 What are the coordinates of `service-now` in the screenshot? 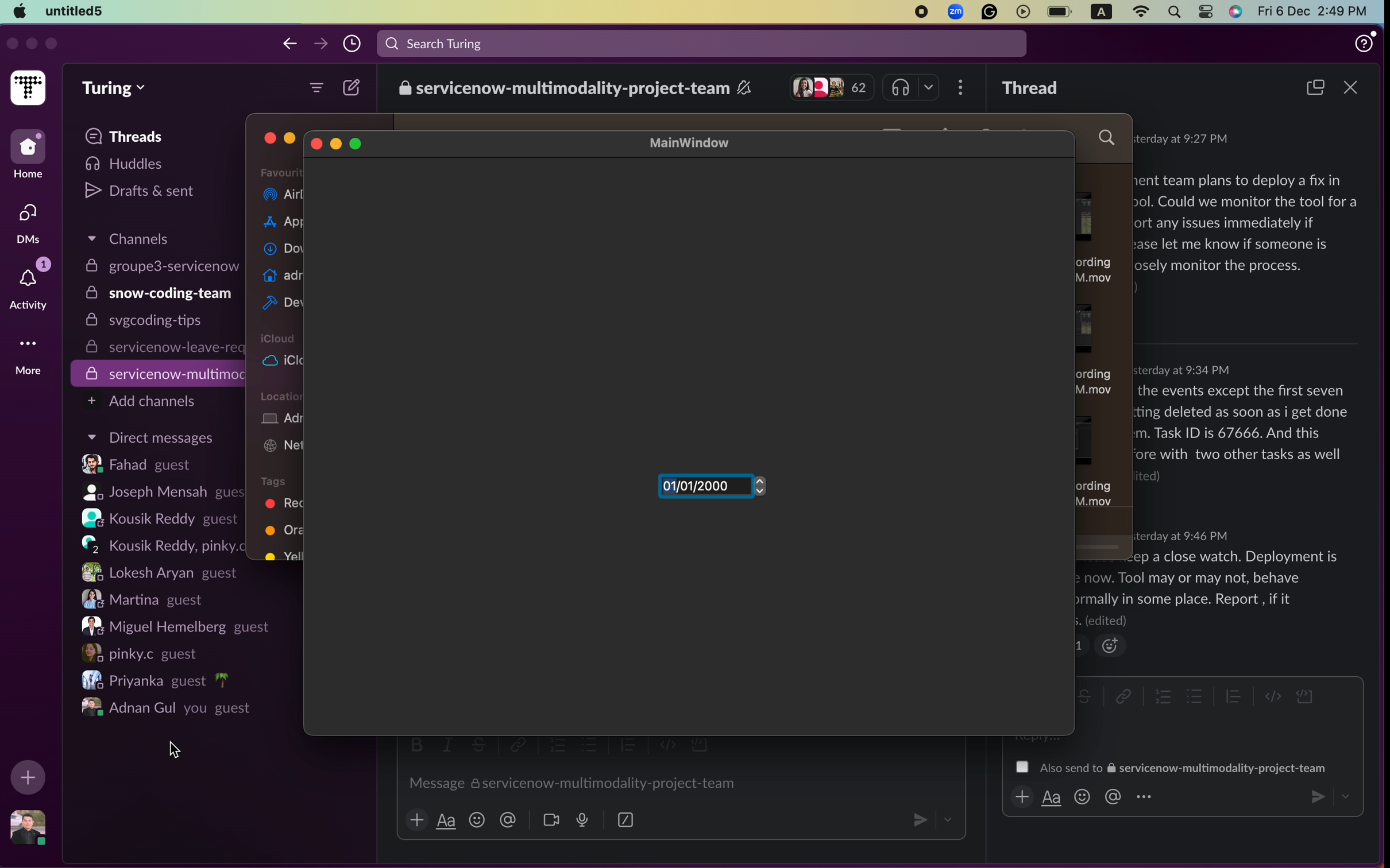 It's located at (160, 374).